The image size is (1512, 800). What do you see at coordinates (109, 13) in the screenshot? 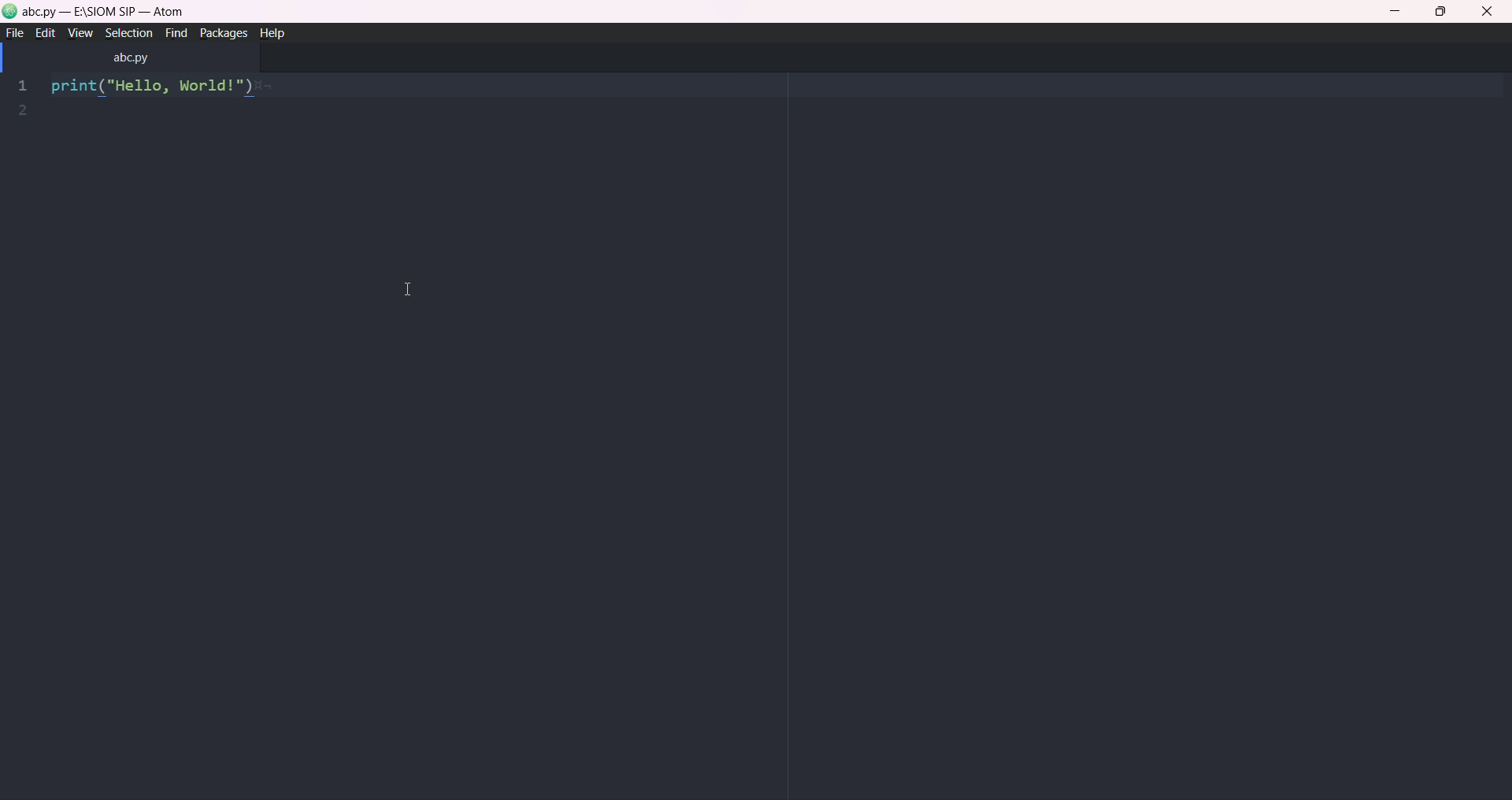
I see `title` at bounding box center [109, 13].